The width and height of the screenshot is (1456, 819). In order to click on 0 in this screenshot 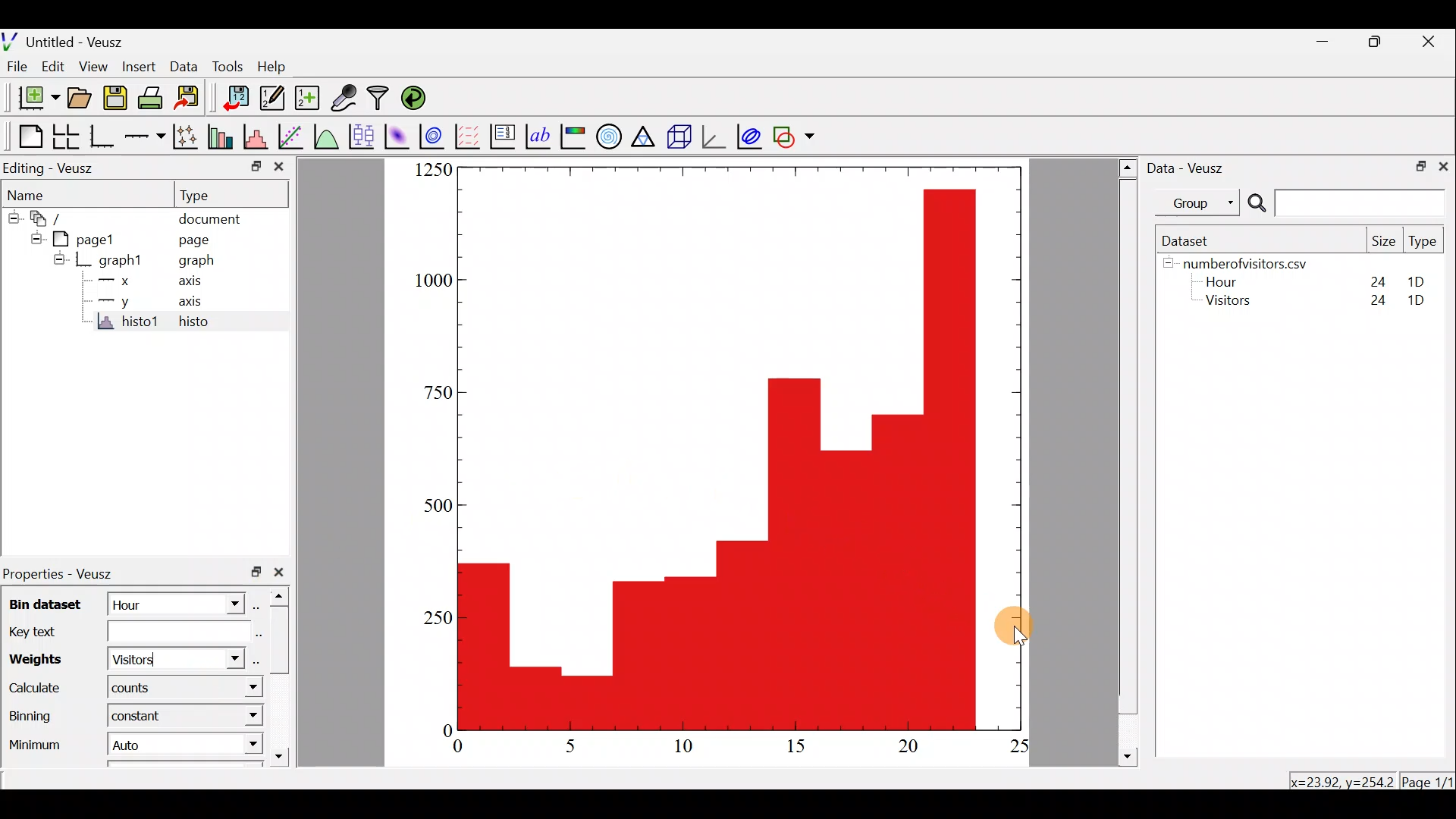, I will do `click(438, 731)`.